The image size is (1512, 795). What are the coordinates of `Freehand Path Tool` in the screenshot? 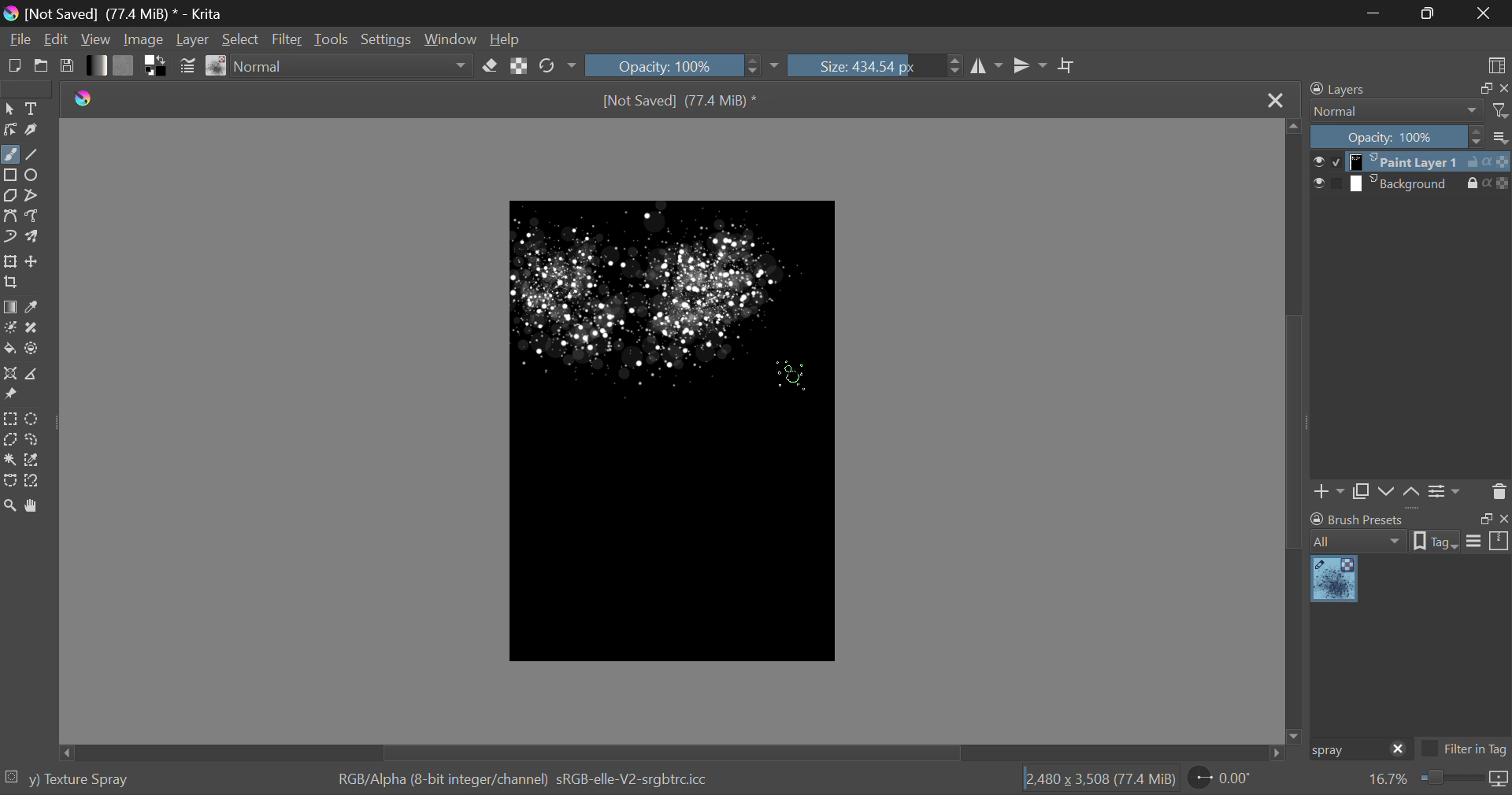 It's located at (33, 216).